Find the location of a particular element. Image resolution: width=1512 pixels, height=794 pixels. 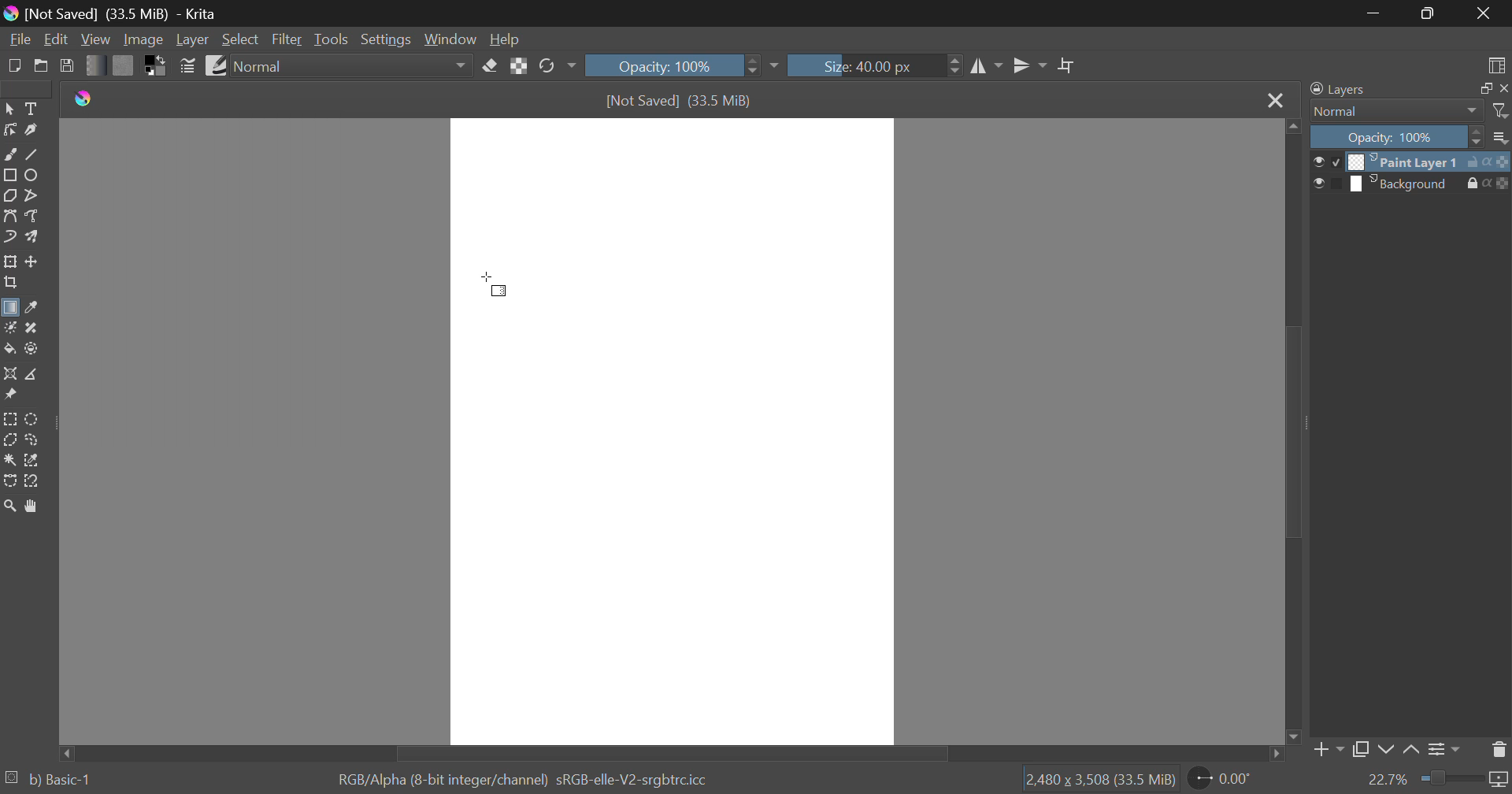

Assistant Tool is located at coordinates (10, 375).